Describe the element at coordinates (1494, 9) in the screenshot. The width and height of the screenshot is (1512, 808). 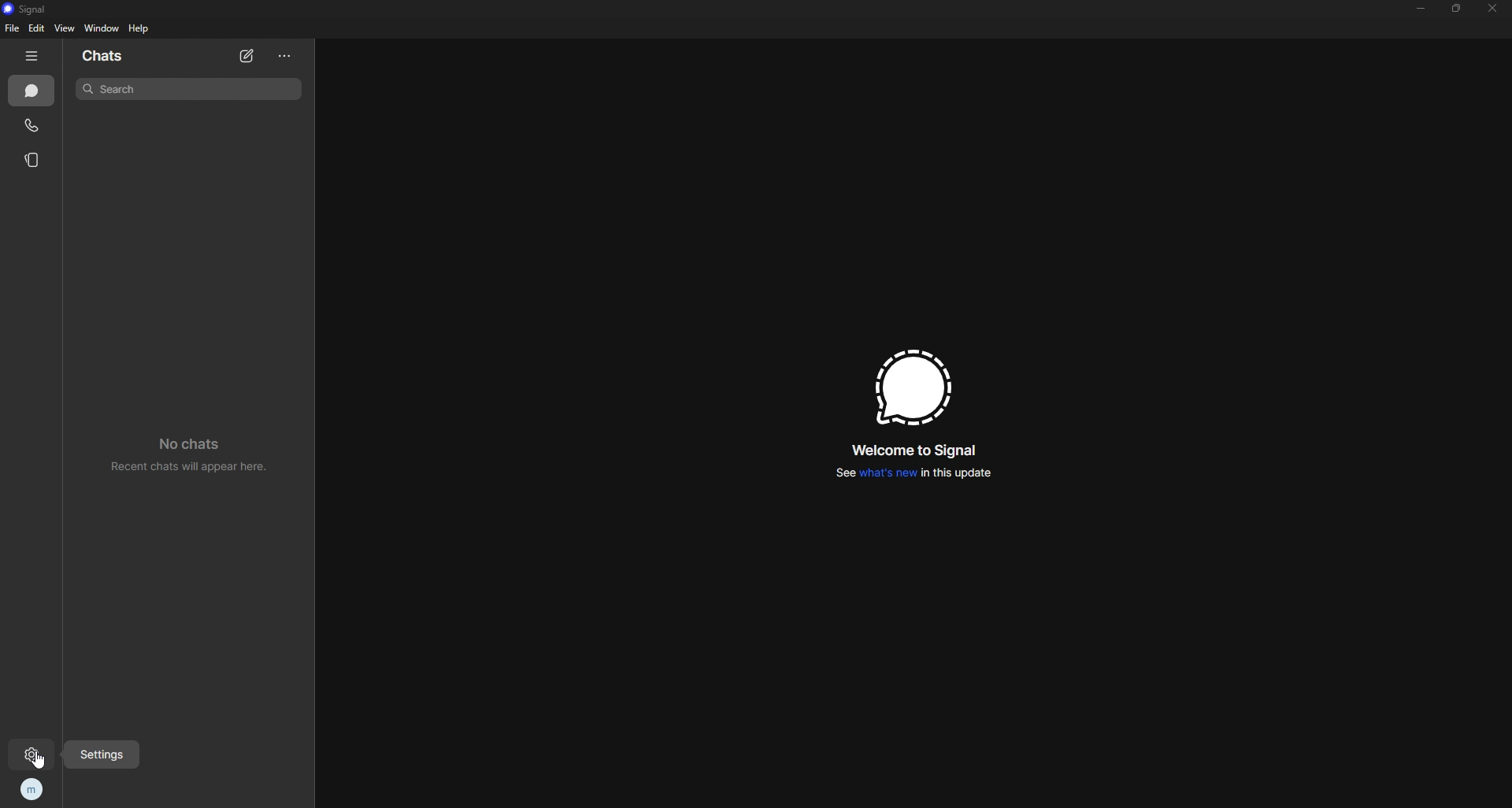
I see `close` at that location.